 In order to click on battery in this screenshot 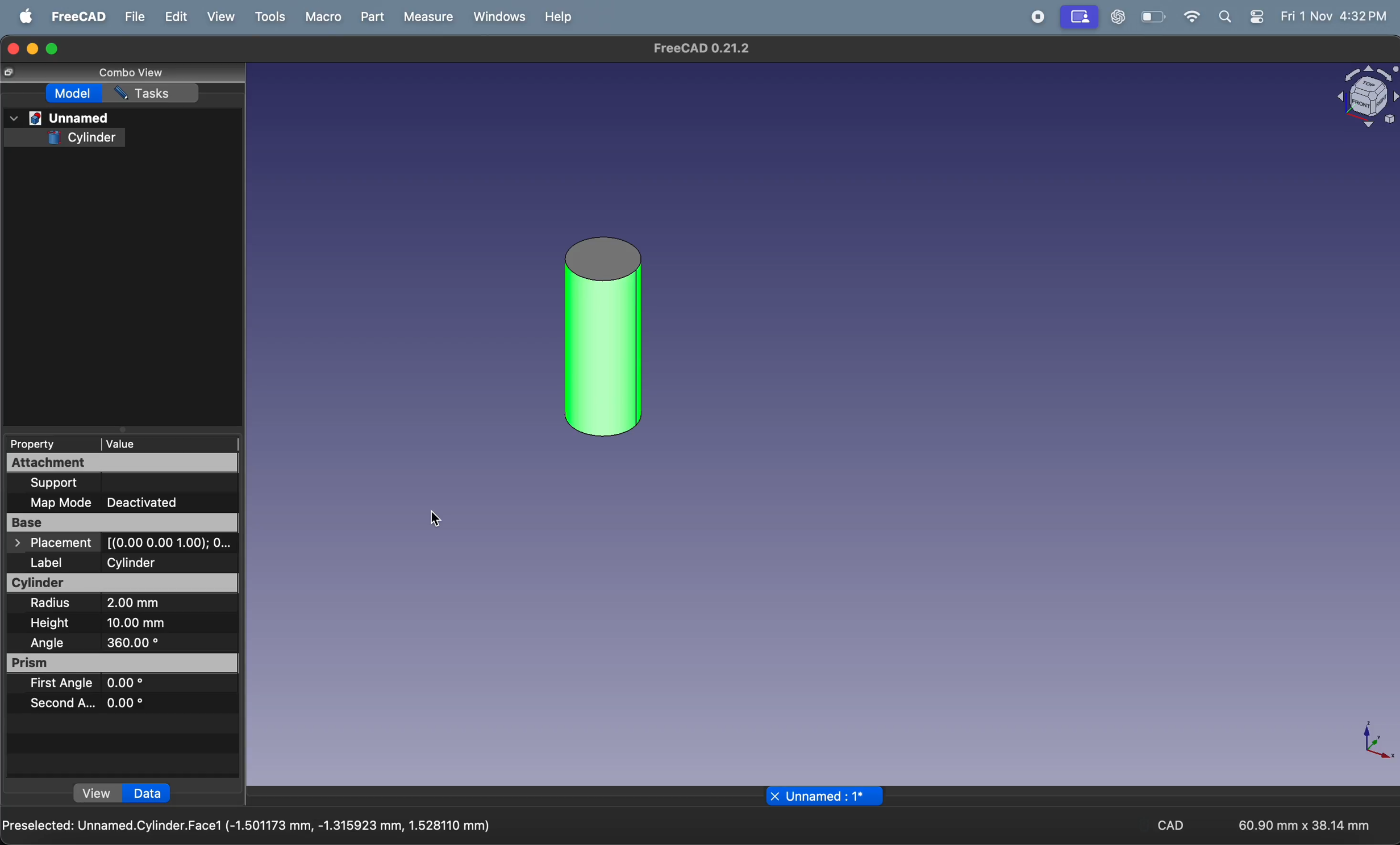, I will do `click(1152, 18)`.